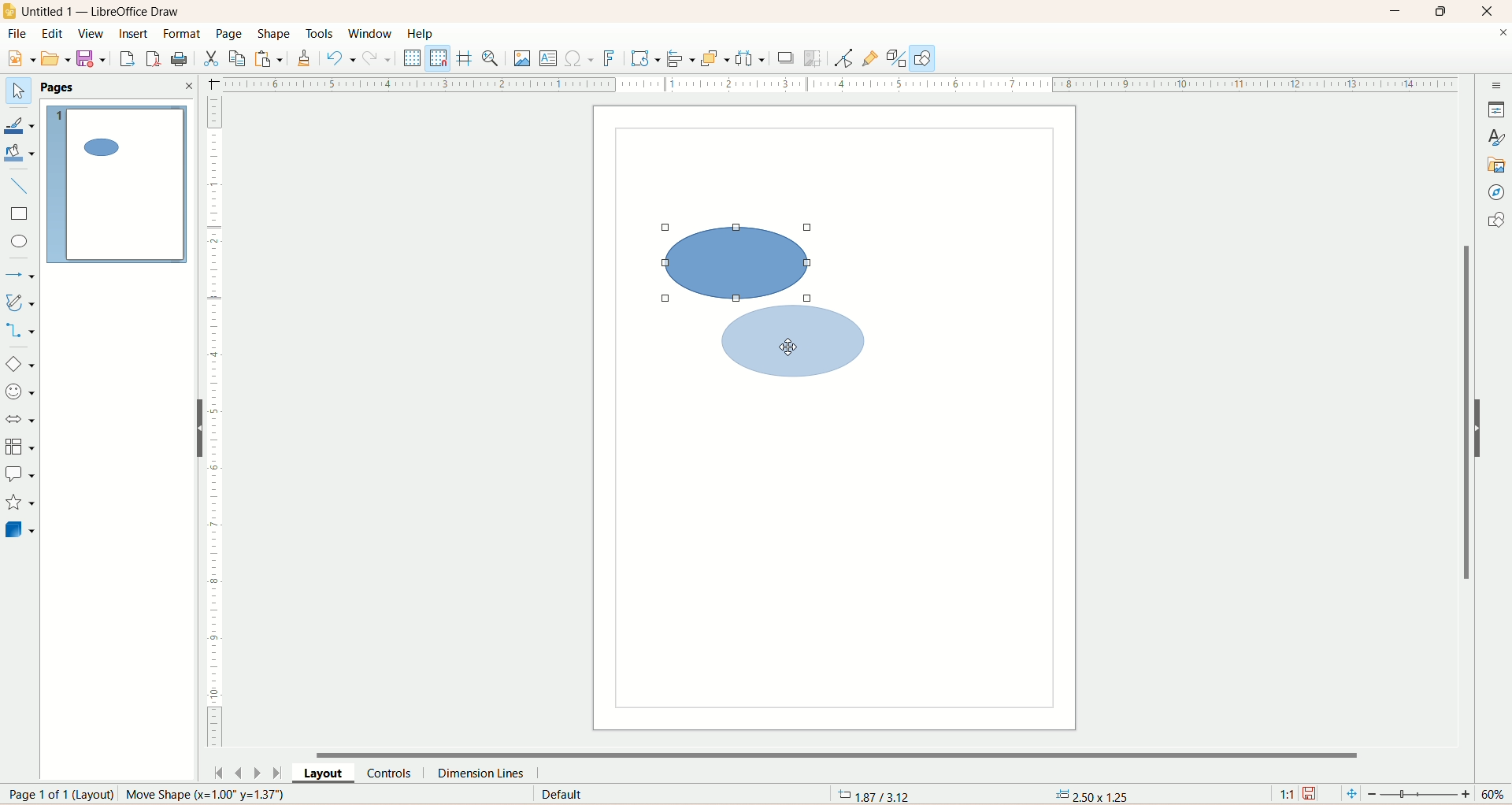 The height and width of the screenshot is (805, 1512). What do you see at coordinates (320, 35) in the screenshot?
I see `tools` at bounding box center [320, 35].